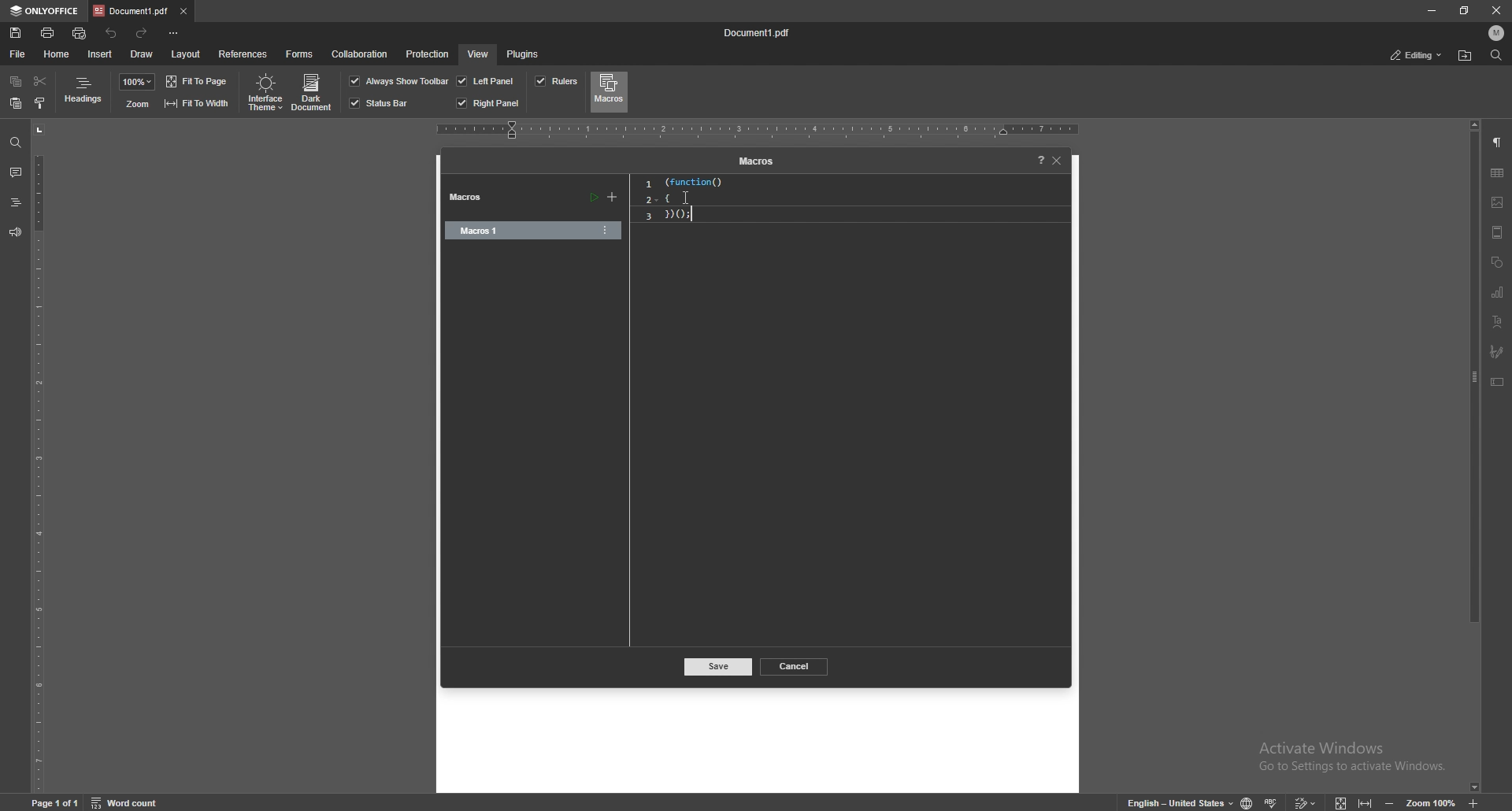 The image size is (1512, 811). What do you see at coordinates (1392, 802) in the screenshot?
I see `zoom out` at bounding box center [1392, 802].